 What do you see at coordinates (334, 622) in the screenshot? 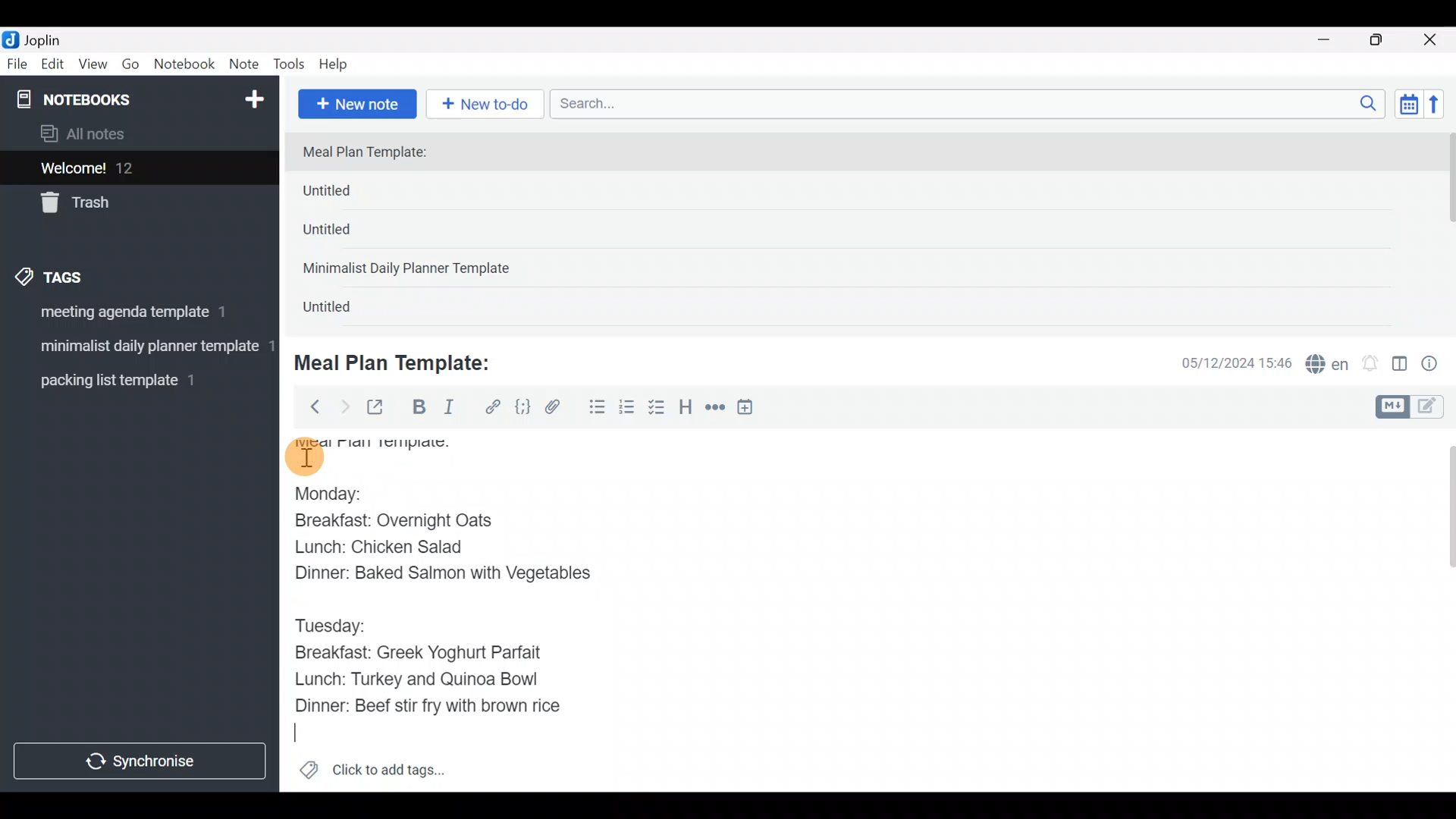
I see `Tuesday:` at bounding box center [334, 622].